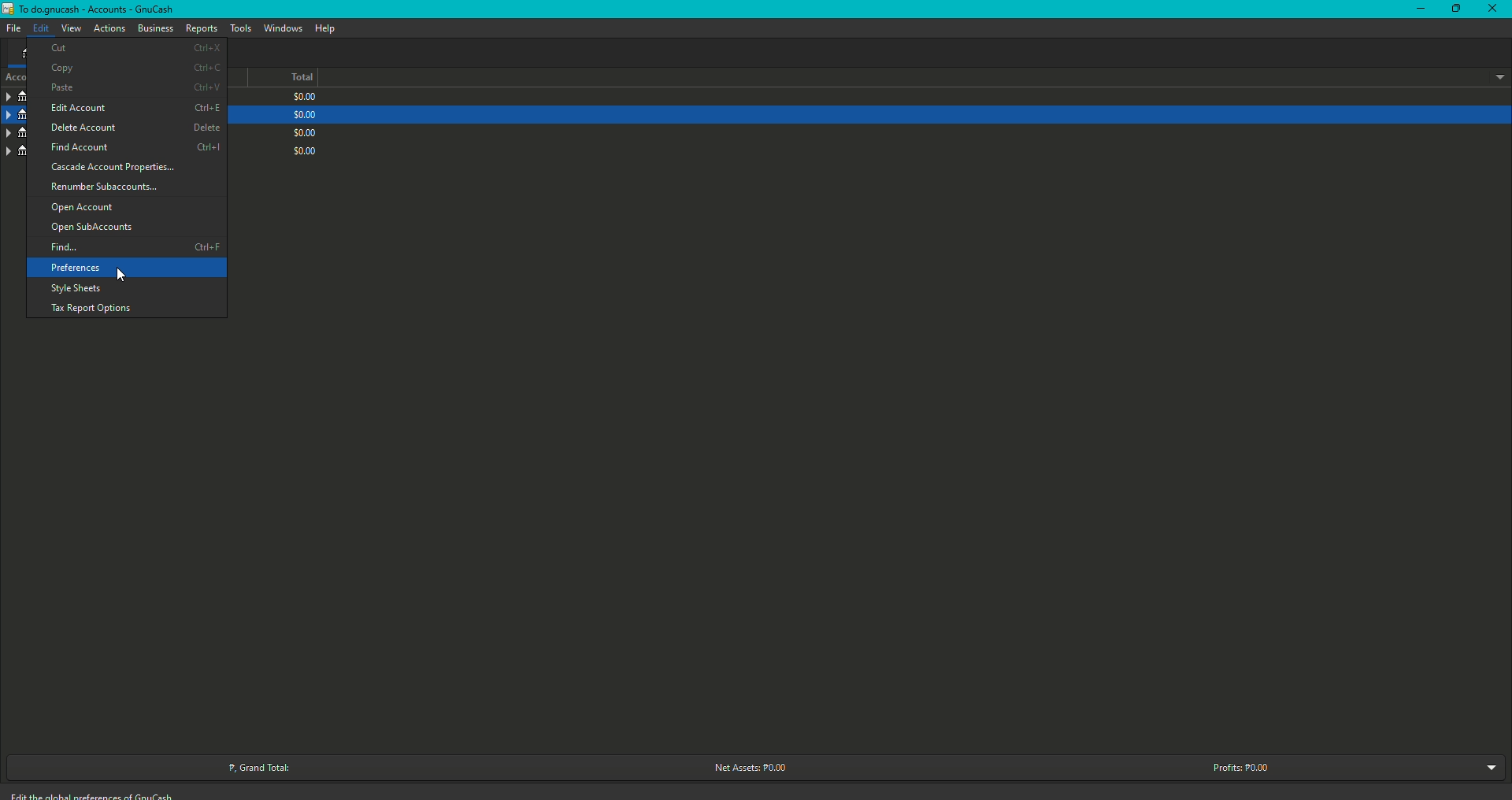  I want to click on Actions, so click(109, 29).